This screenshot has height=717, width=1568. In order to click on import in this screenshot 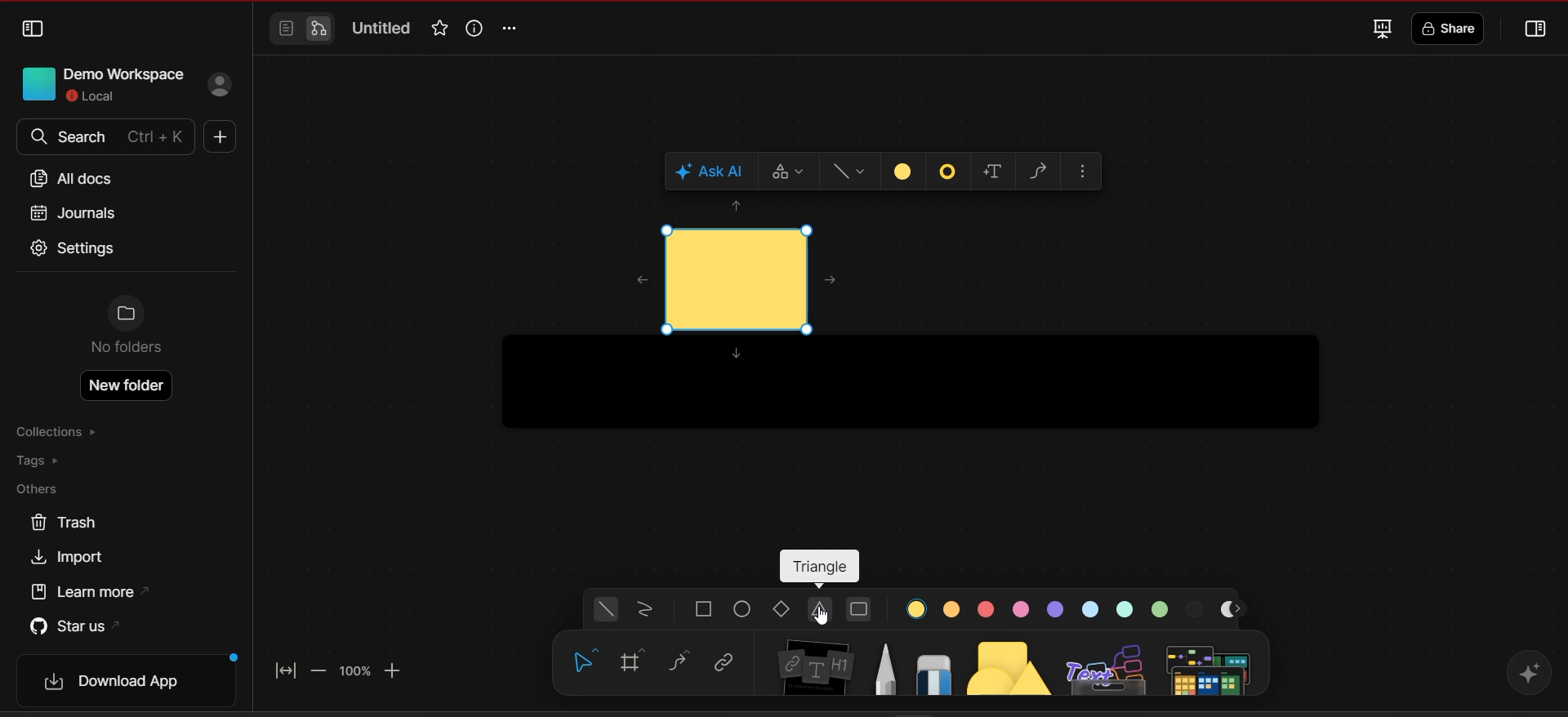, I will do `click(73, 558)`.